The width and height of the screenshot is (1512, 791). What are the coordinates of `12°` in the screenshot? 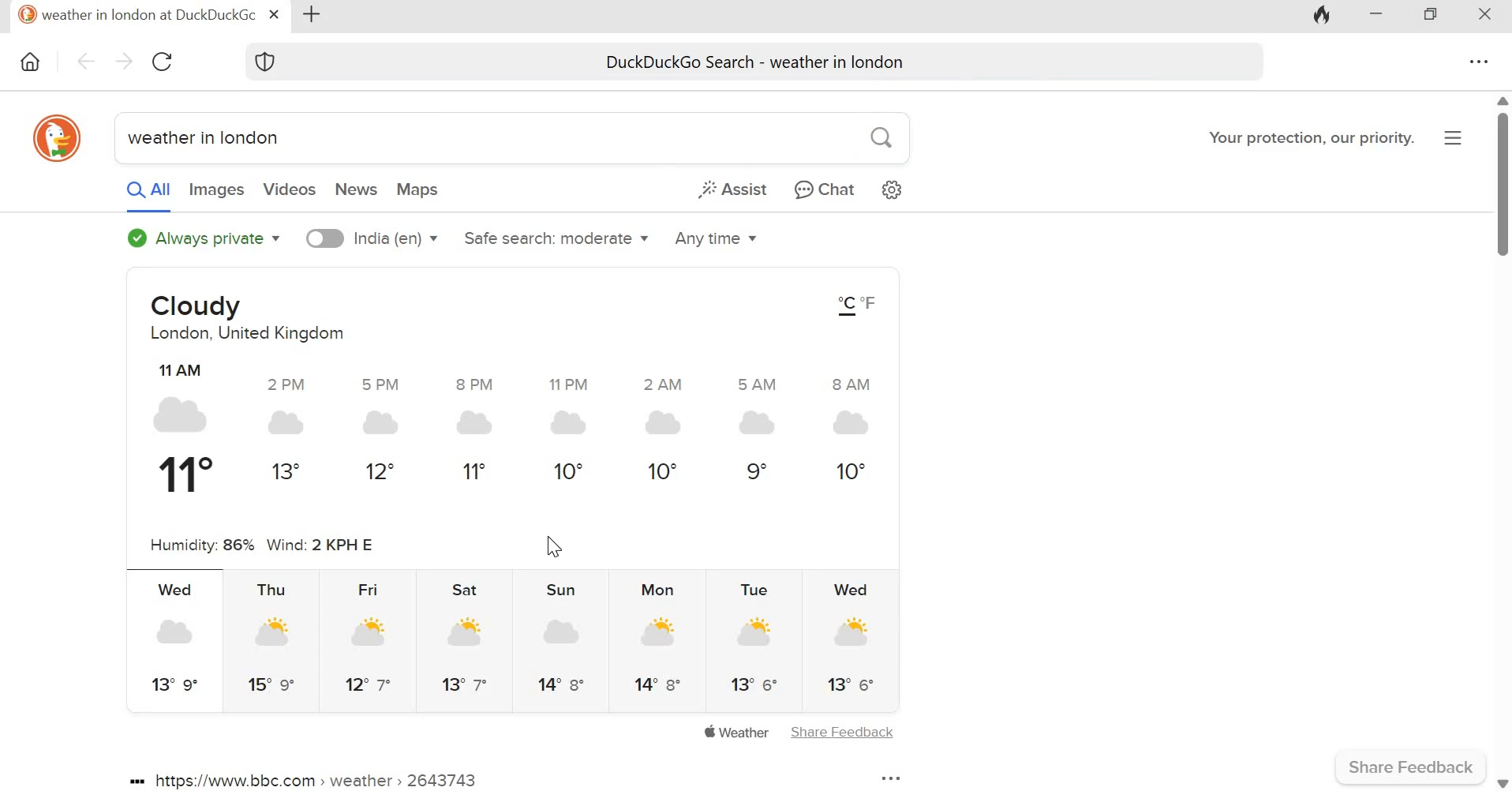 It's located at (379, 472).